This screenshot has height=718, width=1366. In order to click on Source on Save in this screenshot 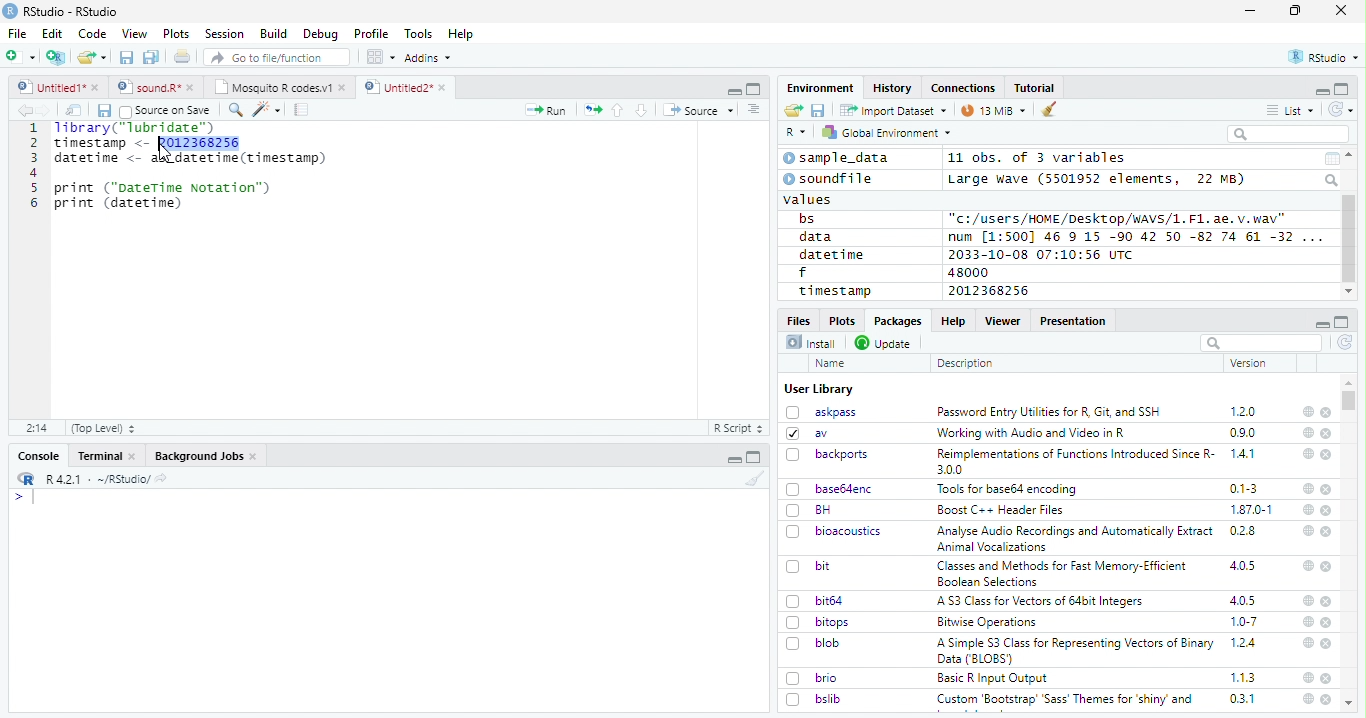, I will do `click(164, 110)`.